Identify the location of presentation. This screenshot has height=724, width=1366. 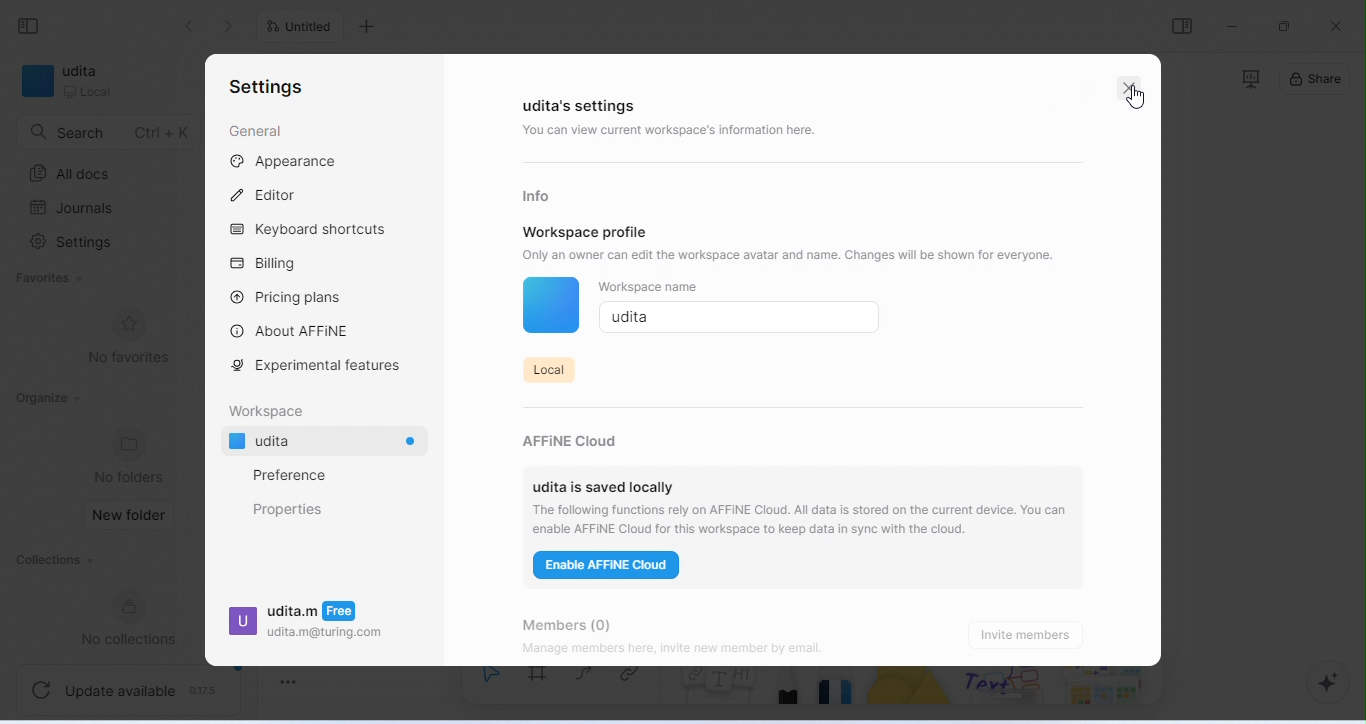
(1249, 79).